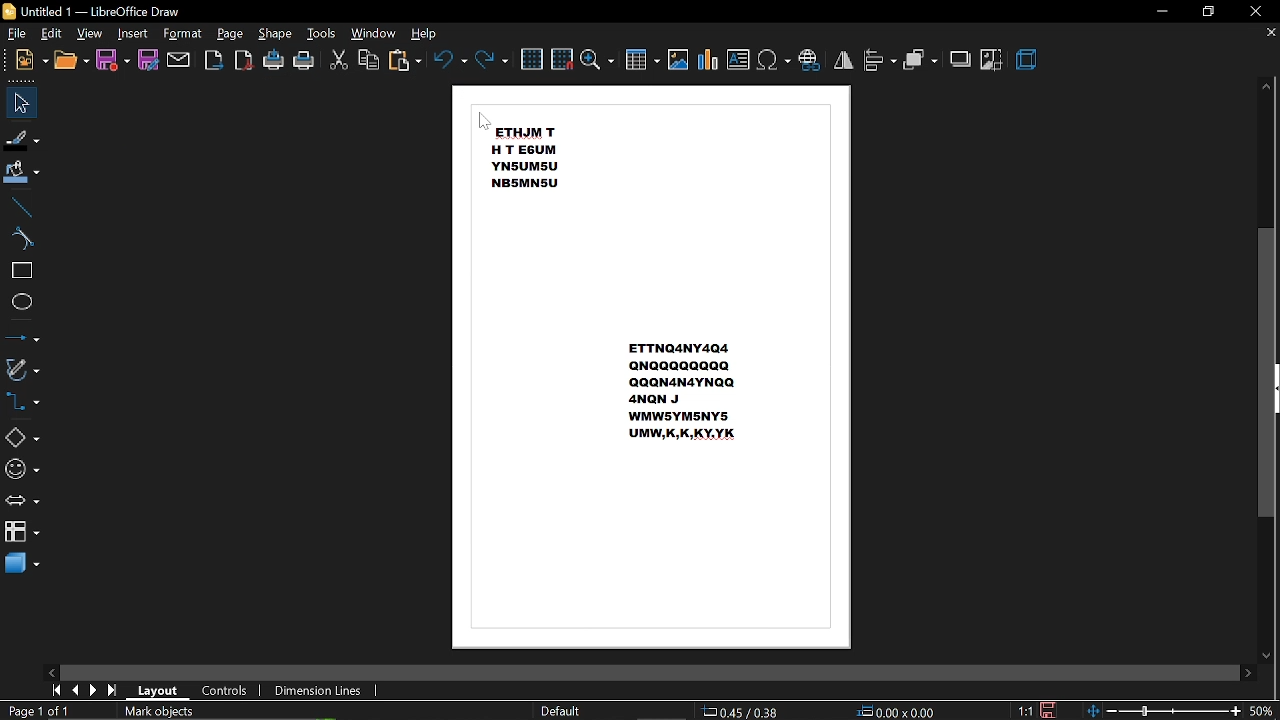 This screenshot has height=720, width=1280. Describe the element at coordinates (1267, 371) in the screenshot. I see `vertical scrollbar` at that location.